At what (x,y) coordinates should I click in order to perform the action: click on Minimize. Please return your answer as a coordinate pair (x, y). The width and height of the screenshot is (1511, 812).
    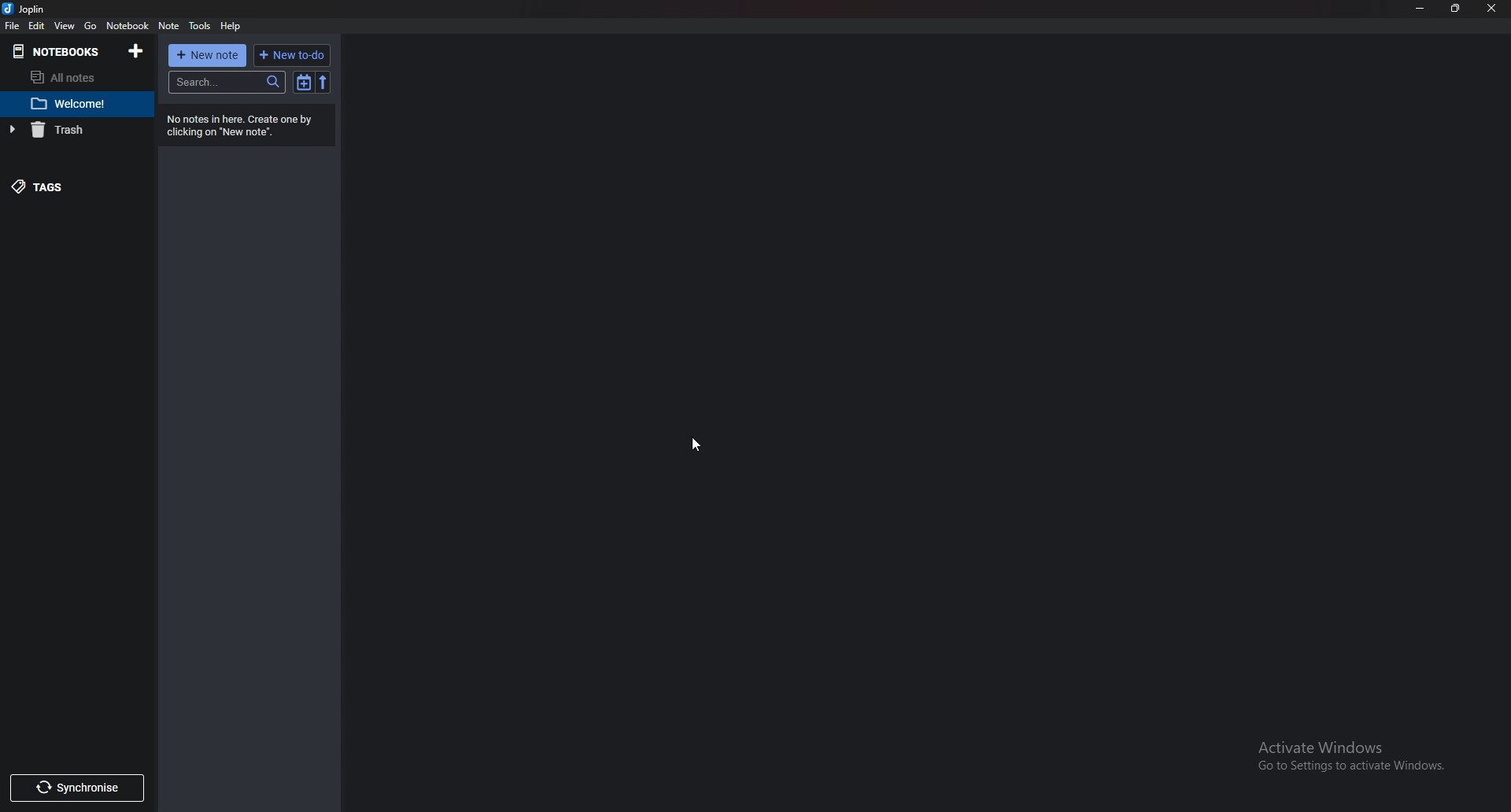
    Looking at the image, I should click on (1422, 8).